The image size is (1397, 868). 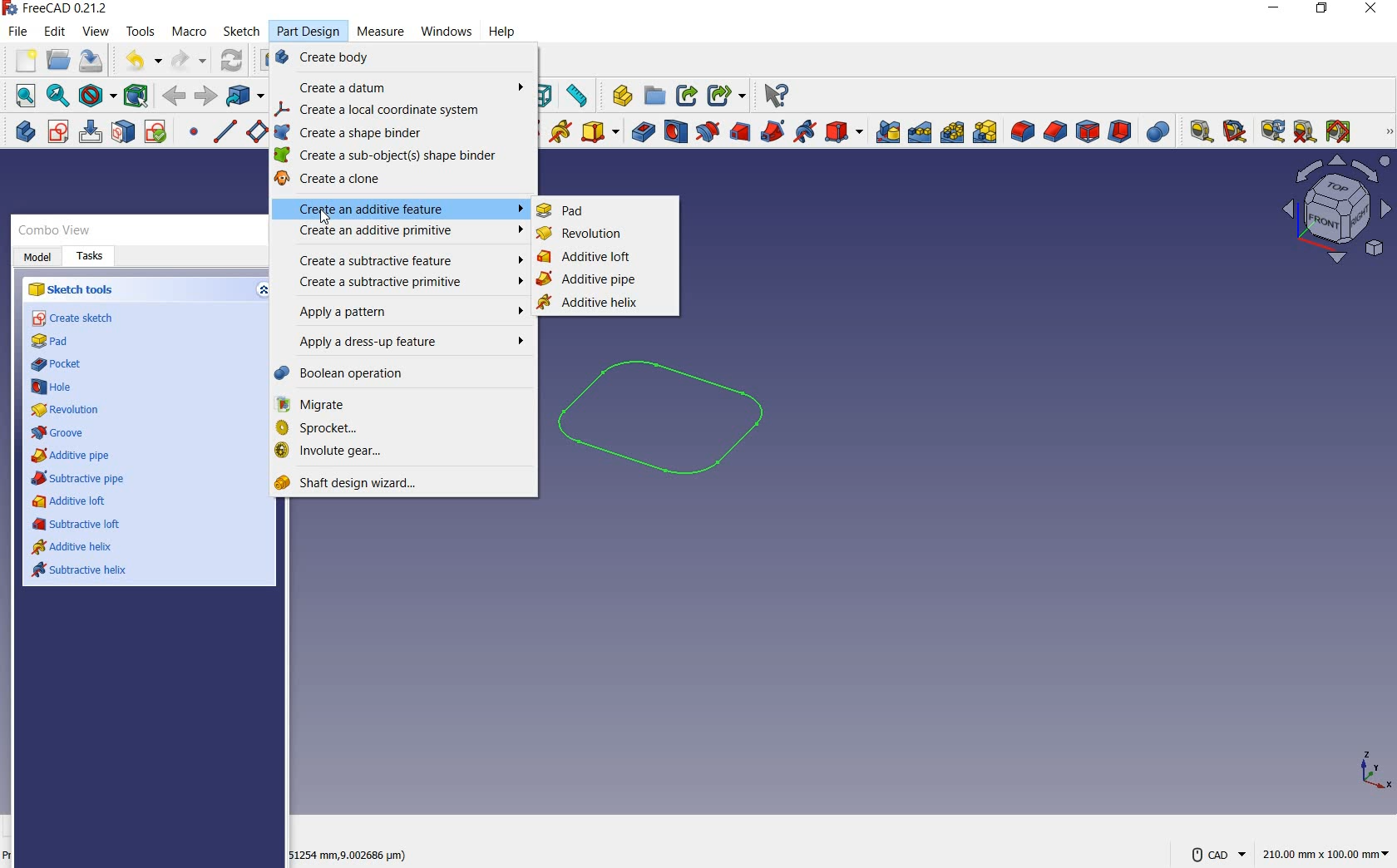 What do you see at coordinates (77, 524) in the screenshot?
I see `subtractive loft` at bounding box center [77, 524].